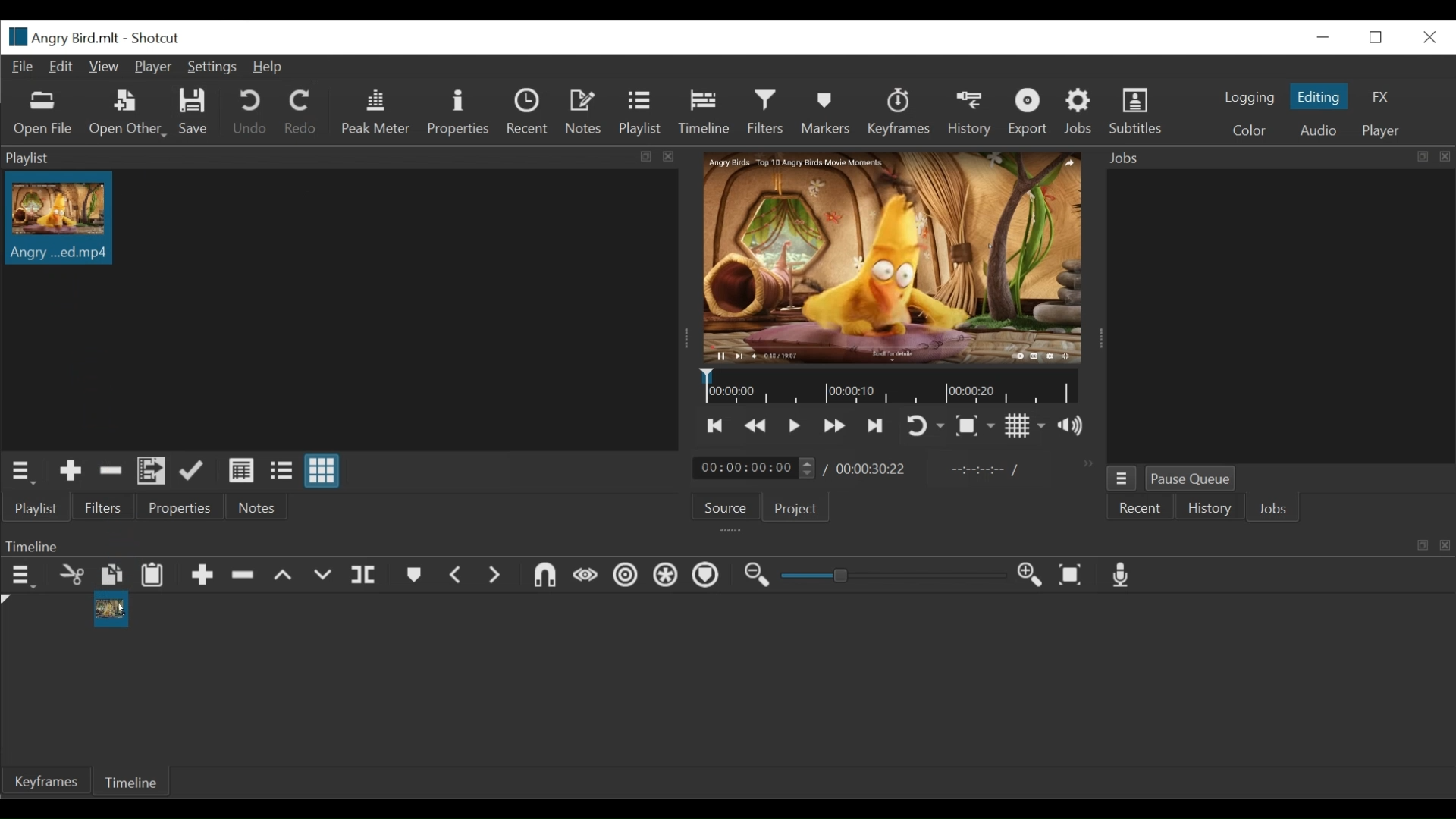 The height and width of the screenshot is (819, 1456). What do you see at coordinates (24, 67) in the screenshot?
I see `File` at bounding box center [24, 67].